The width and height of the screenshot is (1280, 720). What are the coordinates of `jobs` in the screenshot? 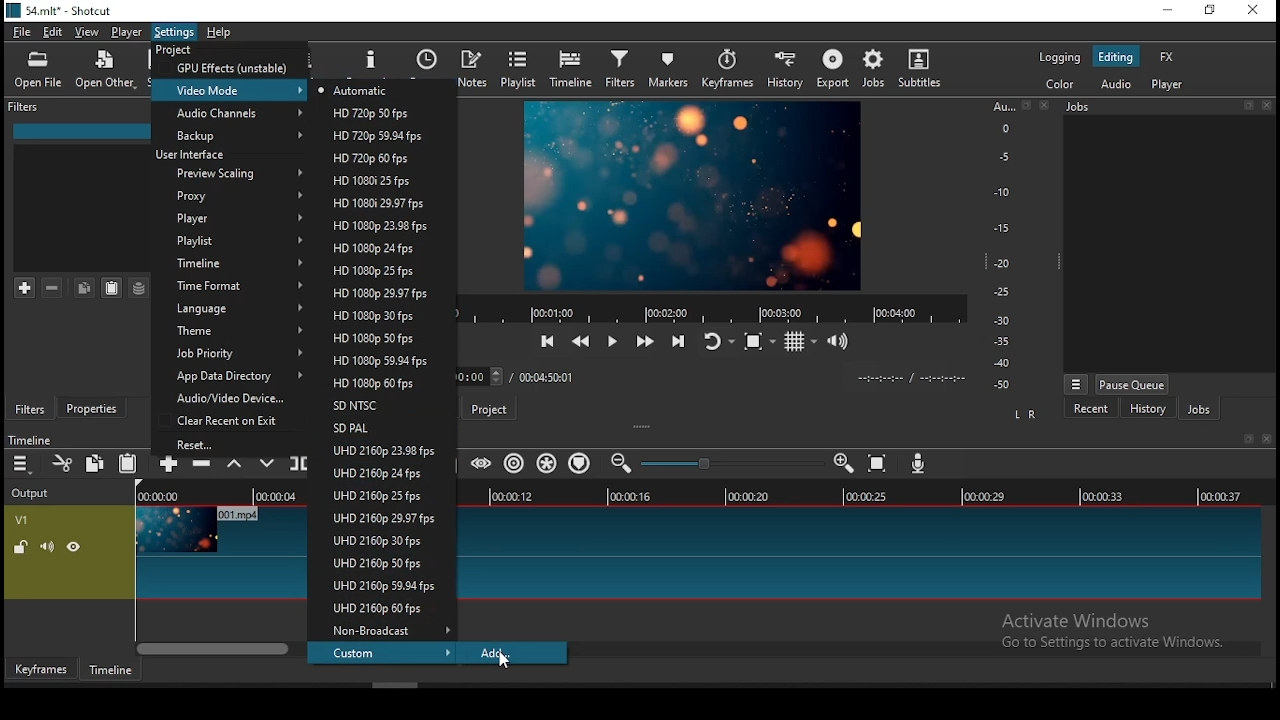 It's located at (875, 68).